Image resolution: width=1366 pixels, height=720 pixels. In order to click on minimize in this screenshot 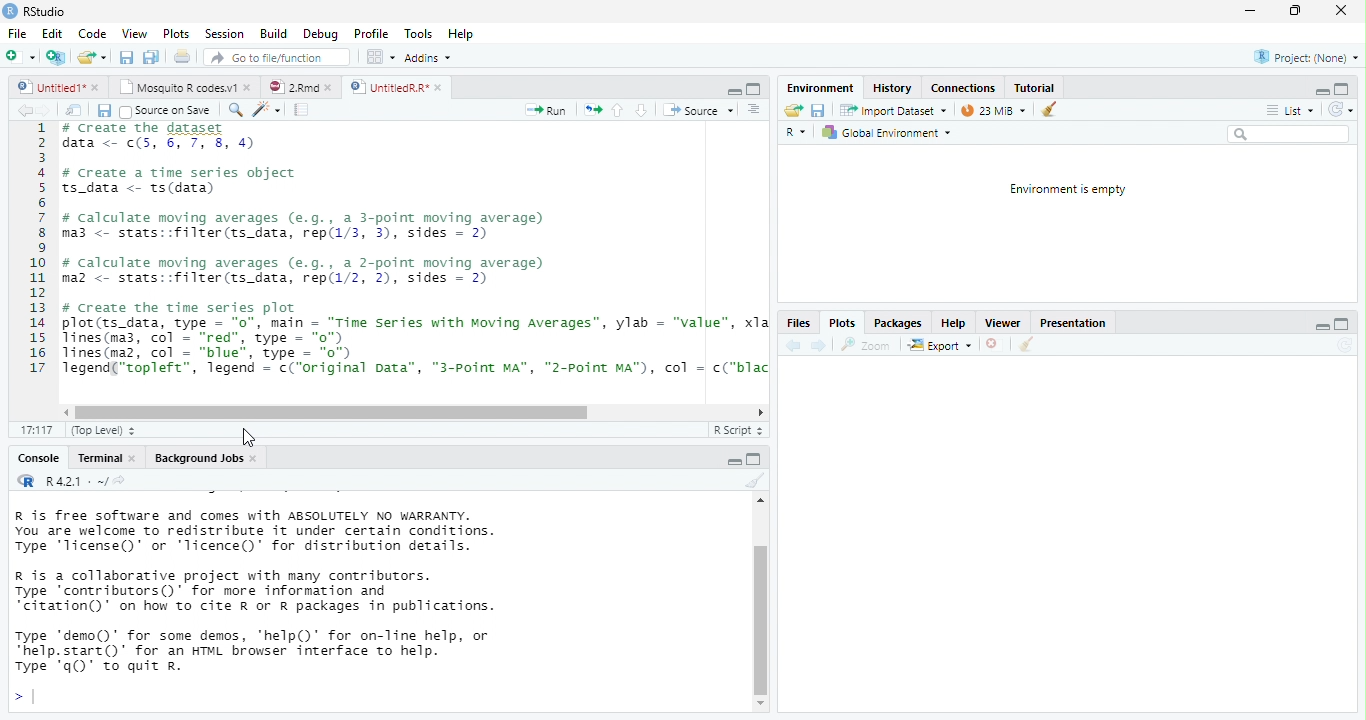, I will do `click(754, 458)`.